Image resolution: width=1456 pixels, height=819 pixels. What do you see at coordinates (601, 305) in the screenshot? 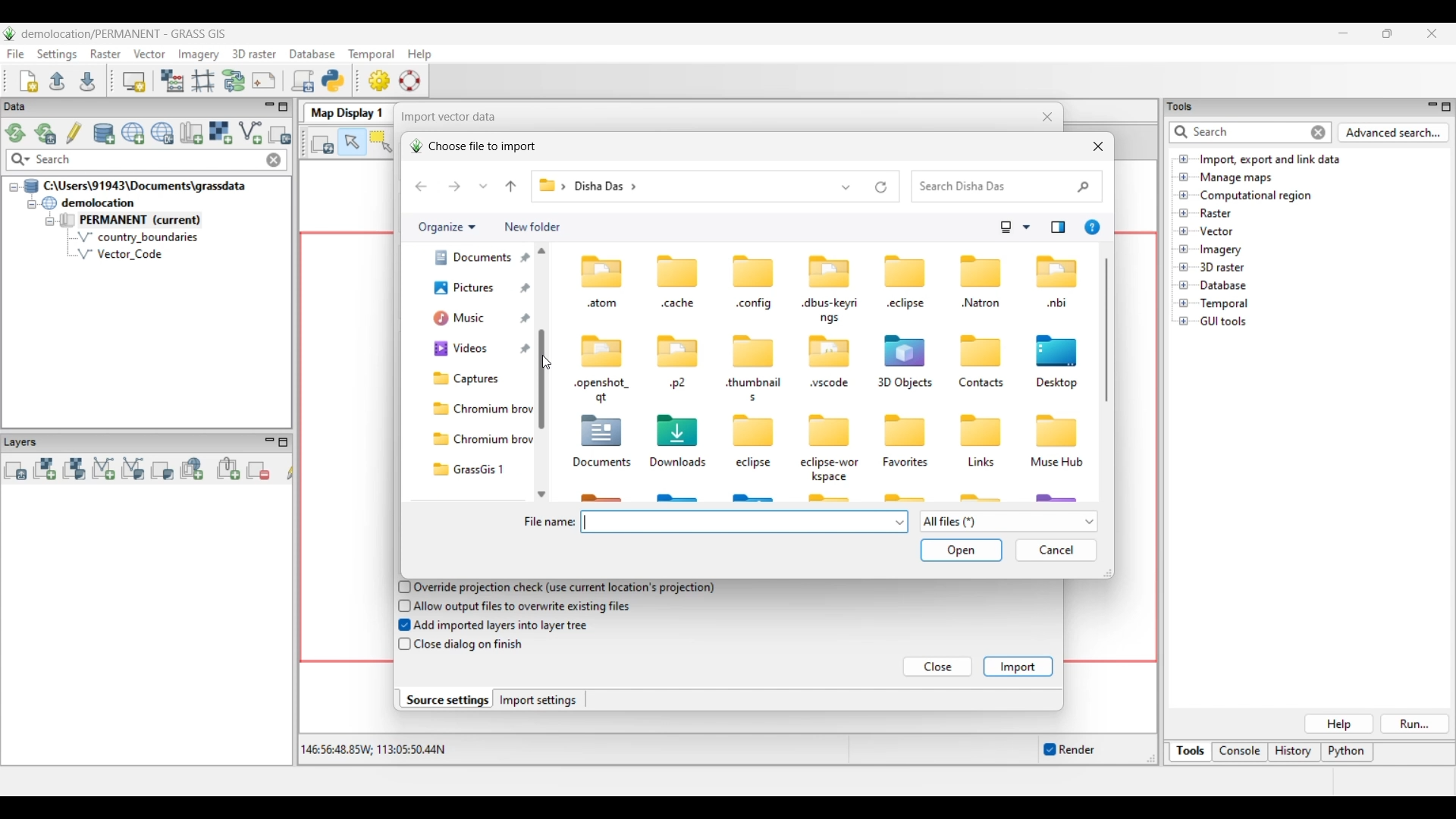
I see `atom` at bounding box center [601, 305].